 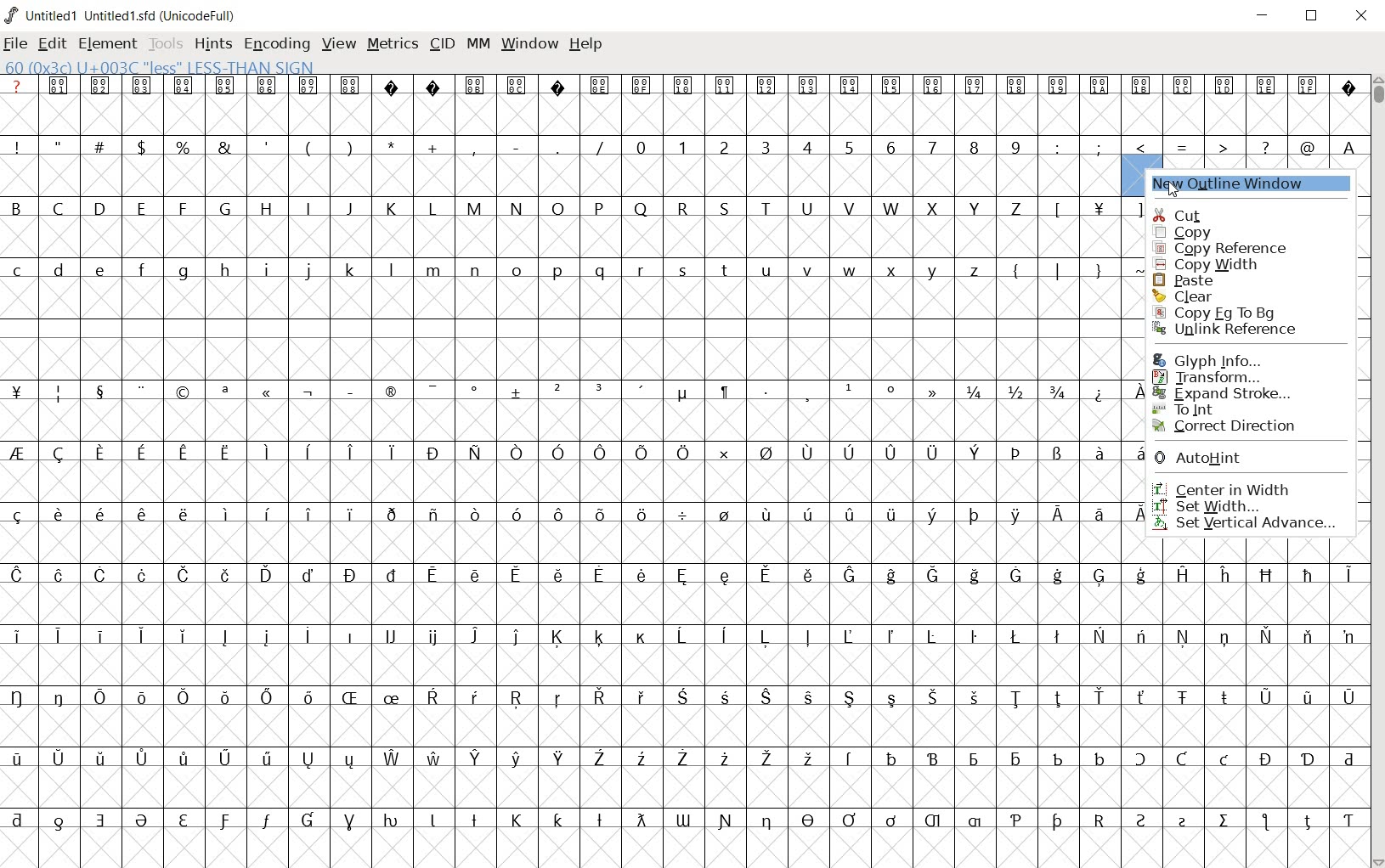 What do you see at coordinates (1220, 265) in the screenshot?
I see `copy width` at bounding box center [1220, 265].